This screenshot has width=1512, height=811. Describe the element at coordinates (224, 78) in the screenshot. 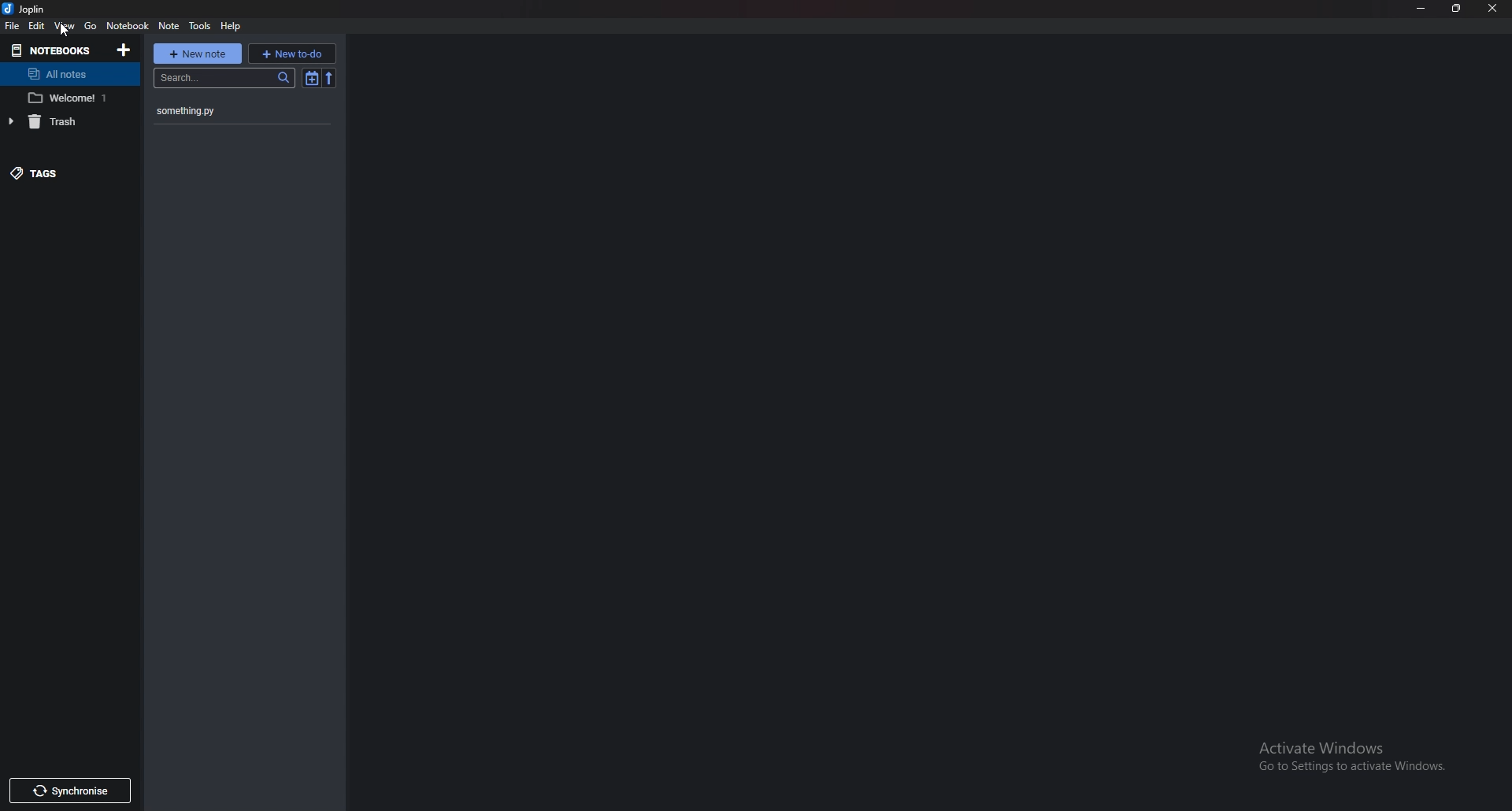

I see `search` at that location.